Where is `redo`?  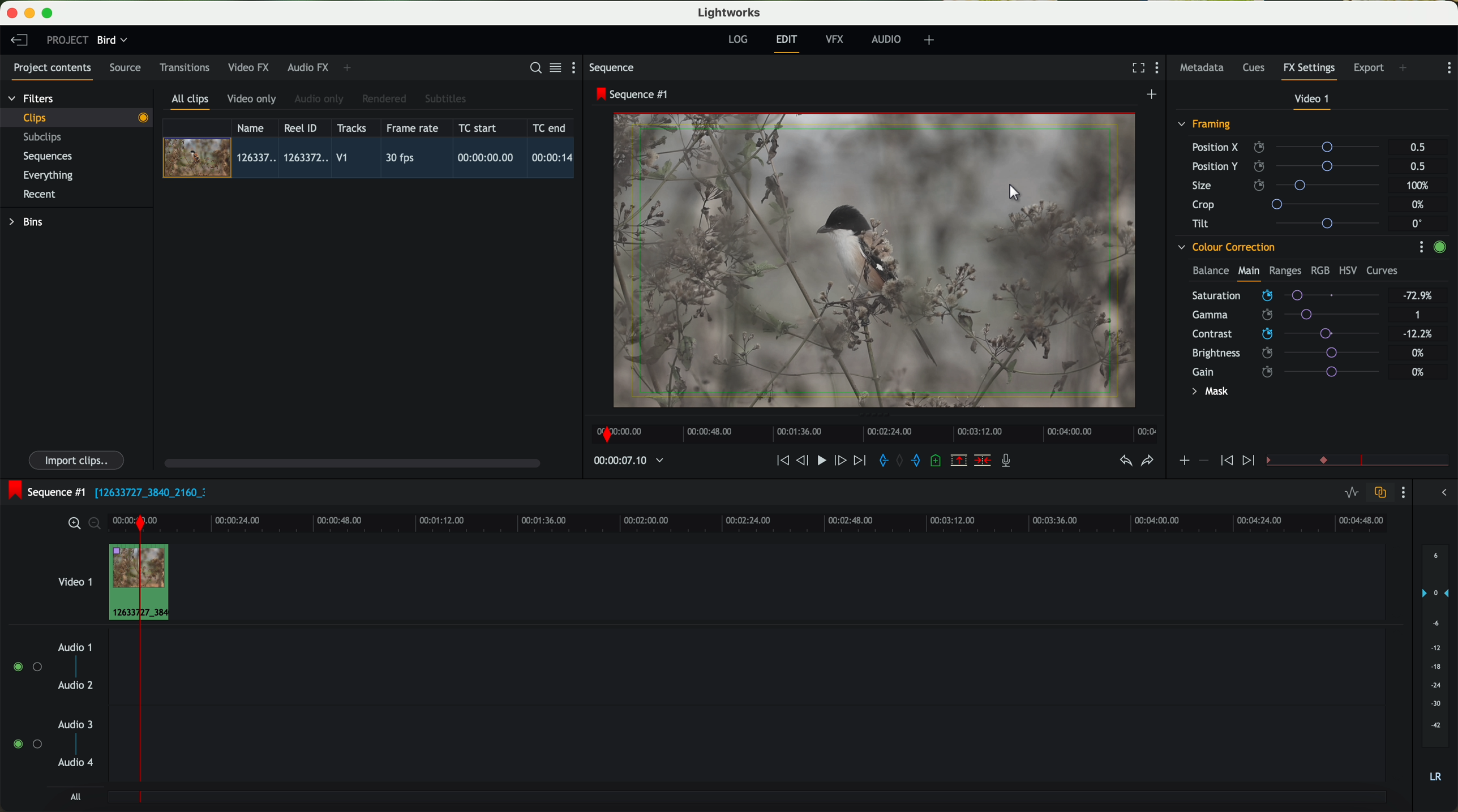
redo is located at coordinates (1147, 462).